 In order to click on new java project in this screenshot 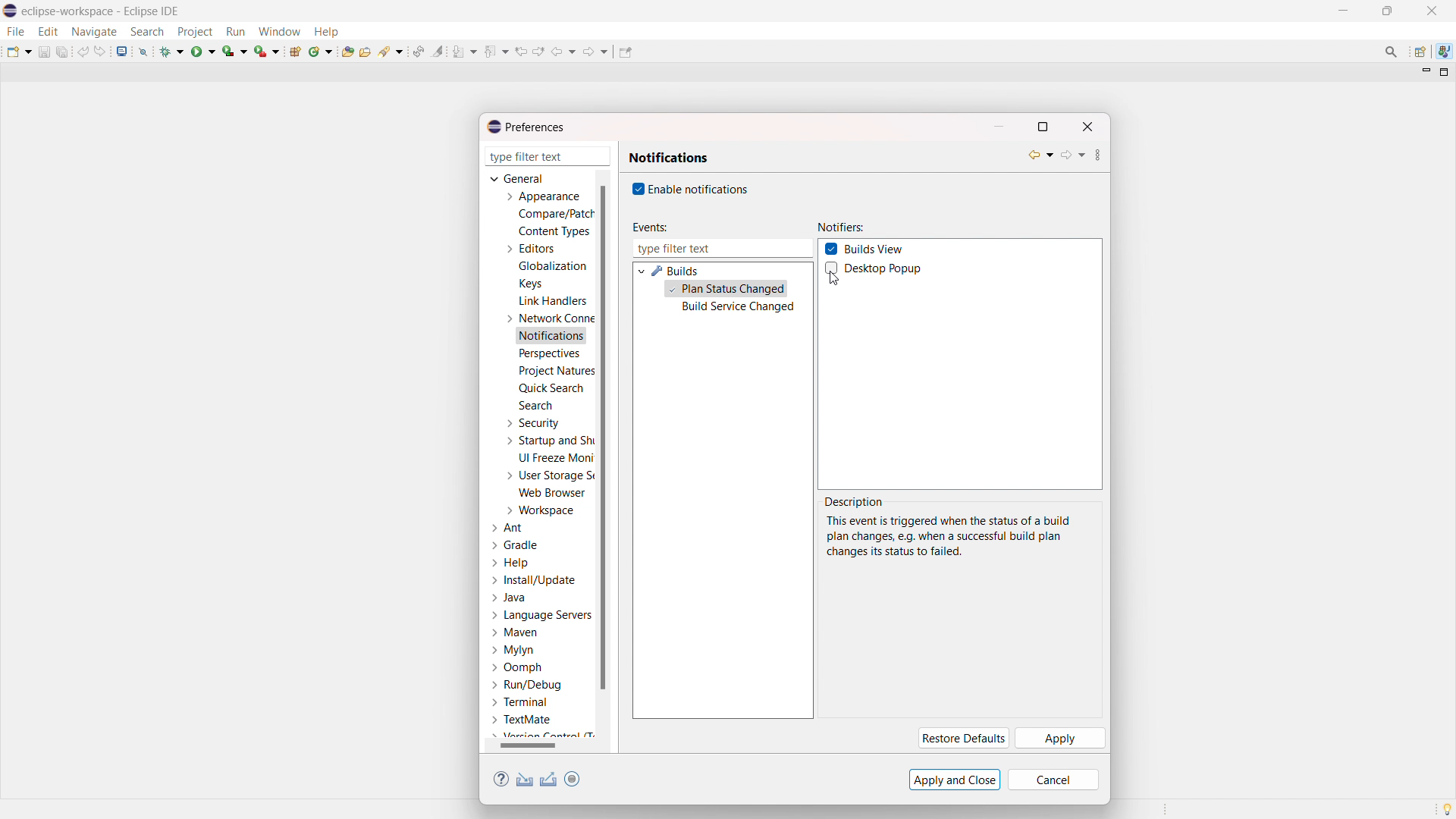, I will do `click(297, 52)`.